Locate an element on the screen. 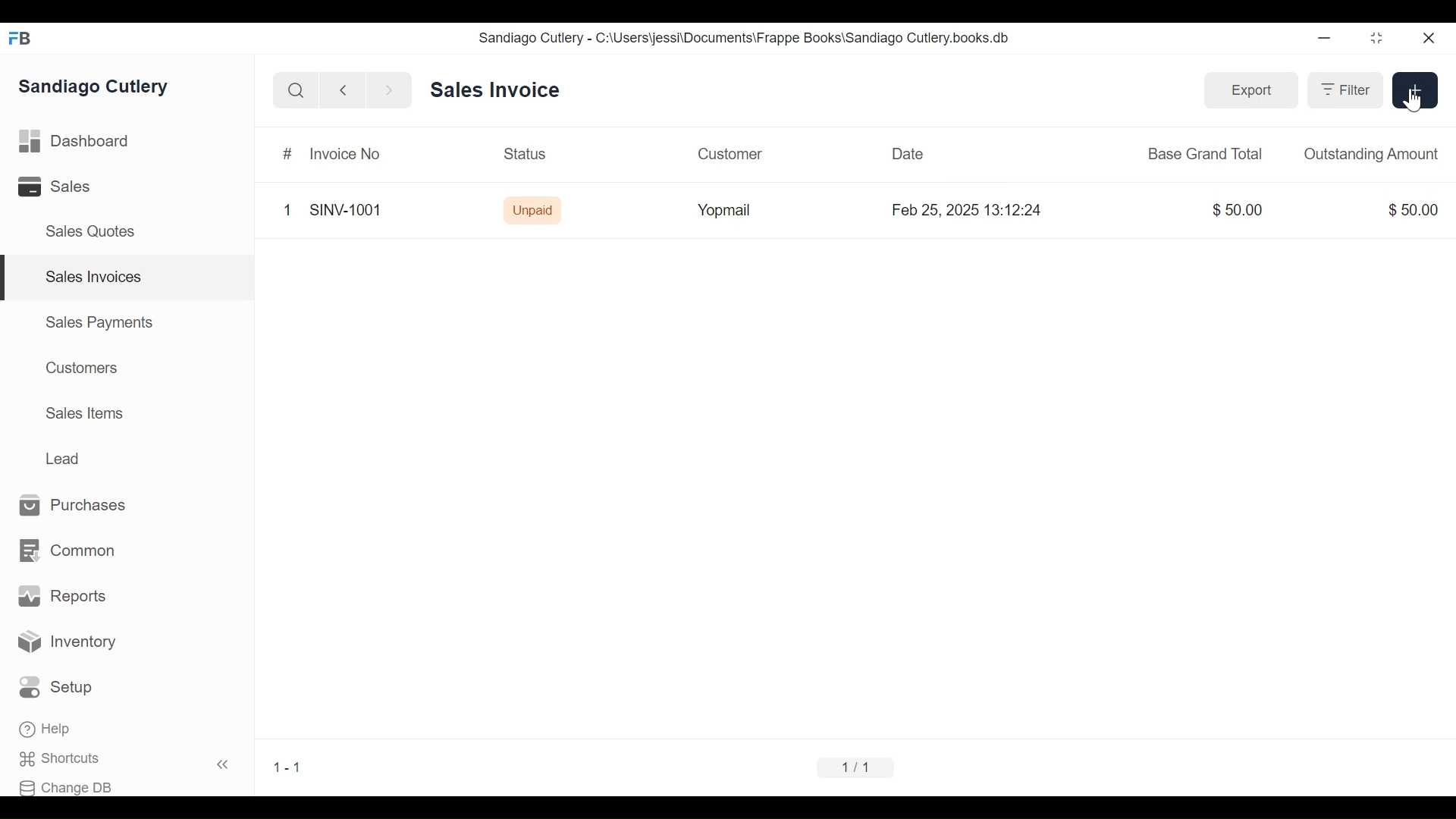 Image resolution: width=1456 pixels, height=819 pixels. Change DB is located at coordinates (66, 788).